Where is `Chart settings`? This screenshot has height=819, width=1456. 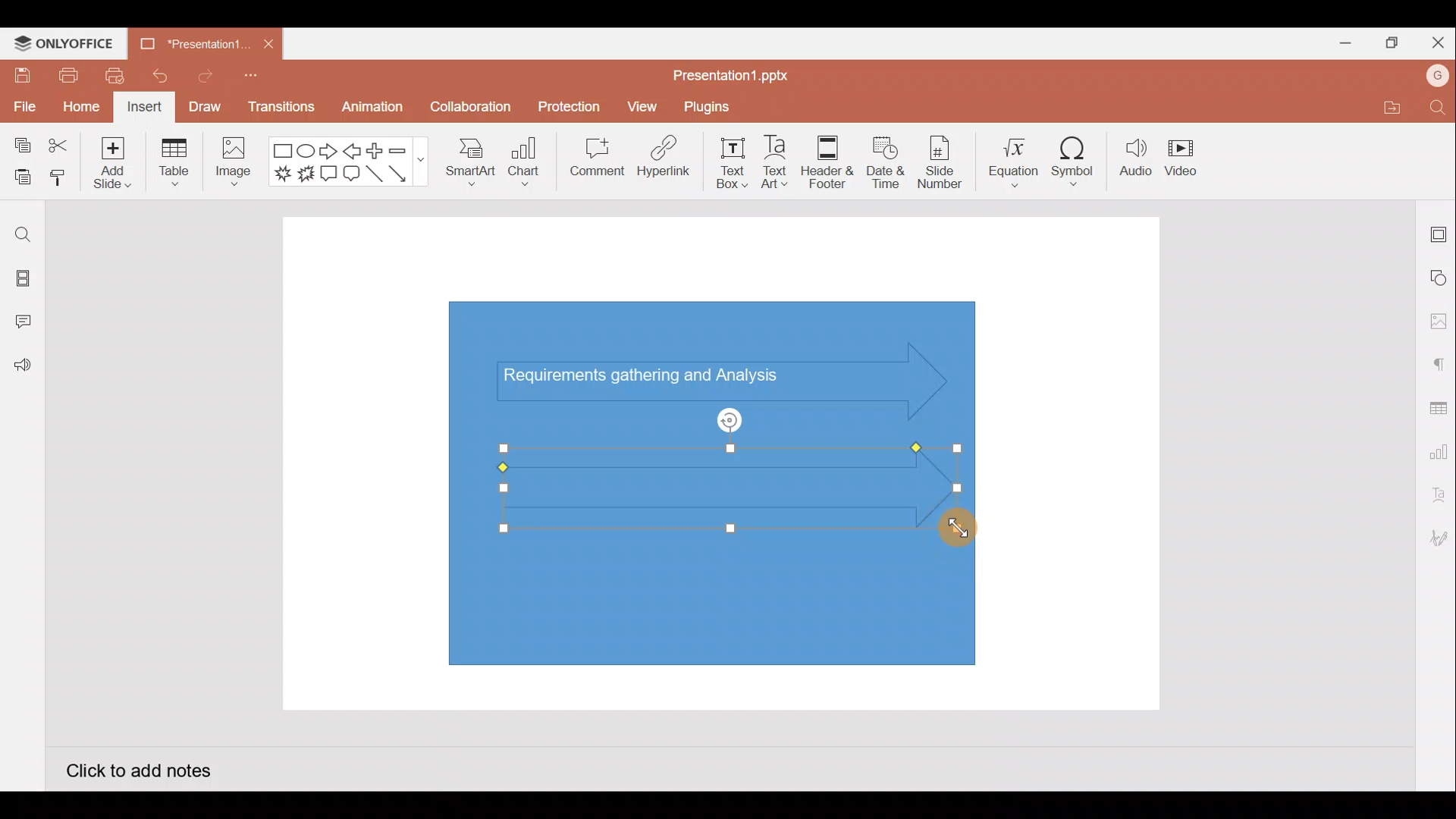
Chart settings is located at coordinates (1436, 449).